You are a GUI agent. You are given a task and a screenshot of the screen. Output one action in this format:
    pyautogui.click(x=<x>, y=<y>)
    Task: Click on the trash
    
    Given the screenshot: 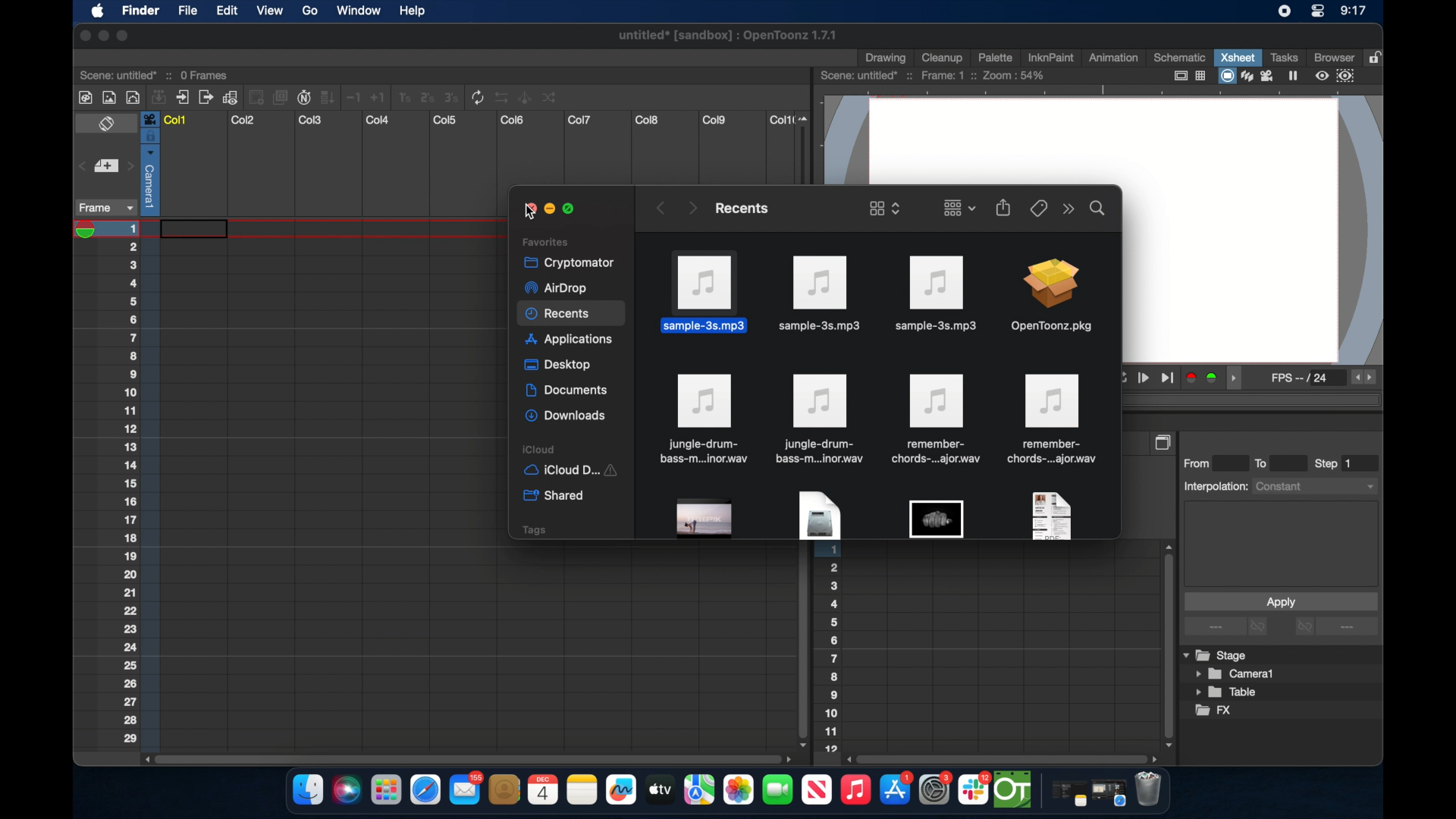 What is the action you would take?
    pyautogui.click(x=1148, y=791)
    